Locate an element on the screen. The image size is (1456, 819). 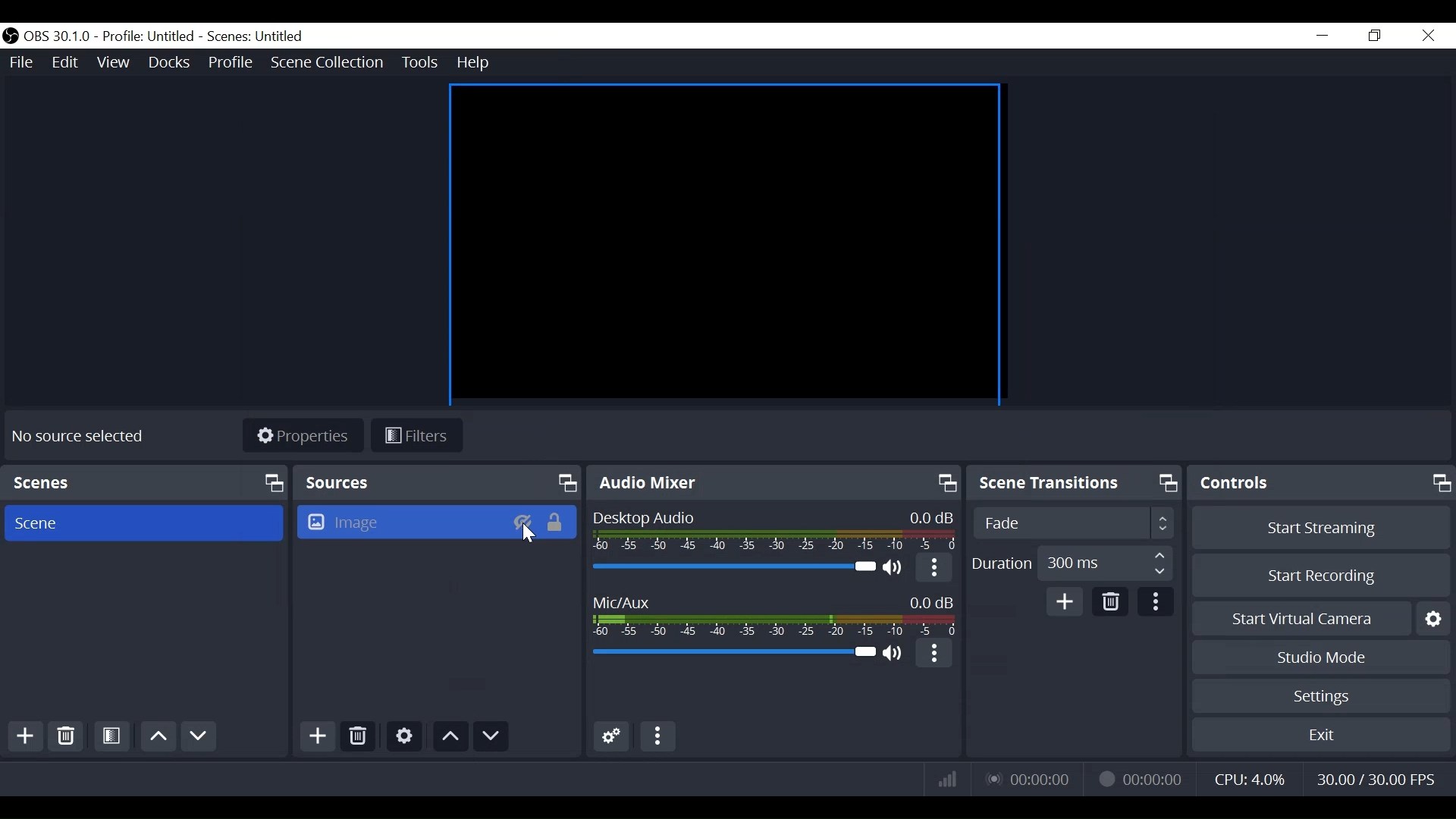
Desktop Audio is located at coordinates (773, 530).